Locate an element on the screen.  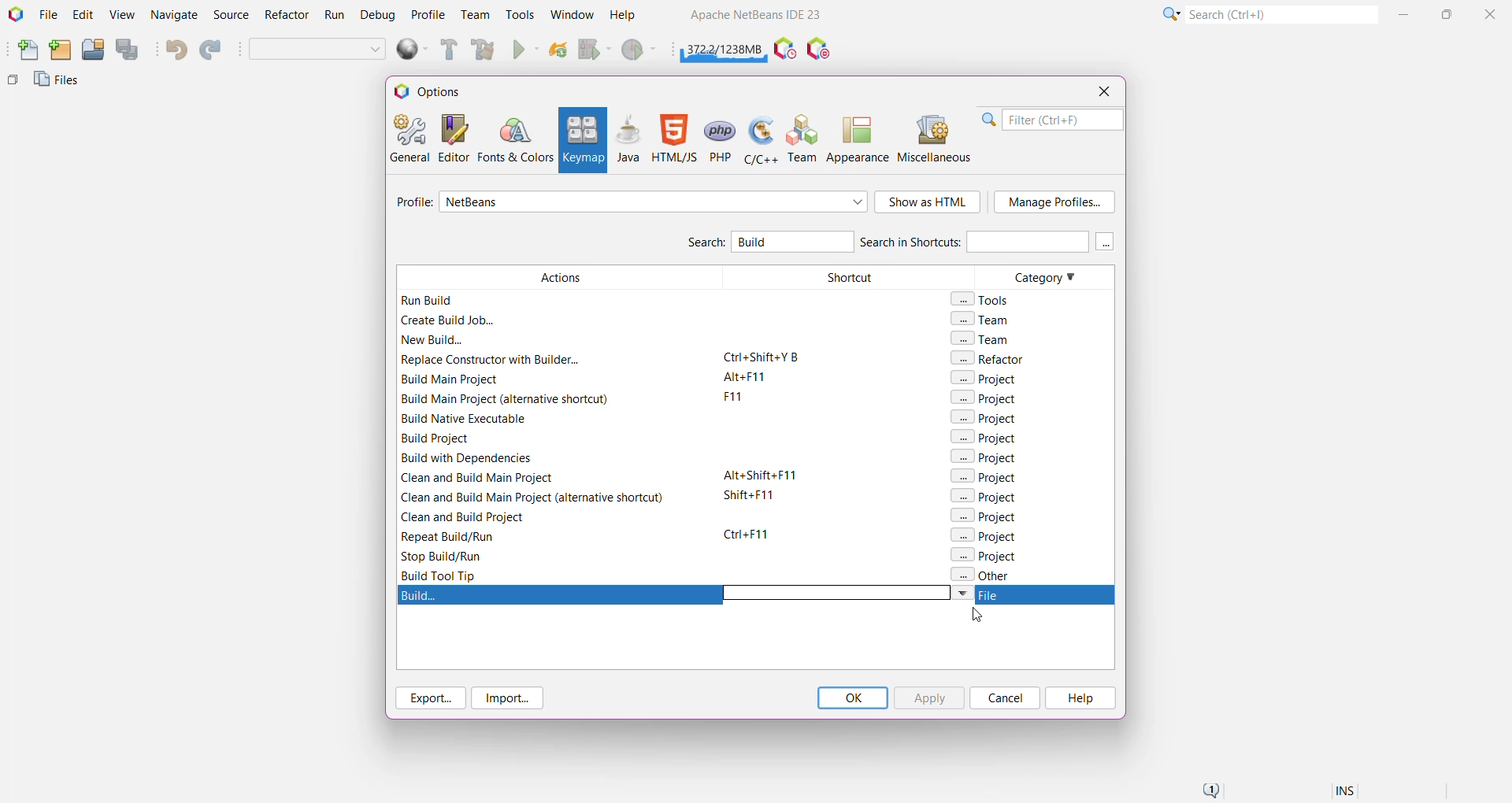
Team is located at coordinates (474, 15).